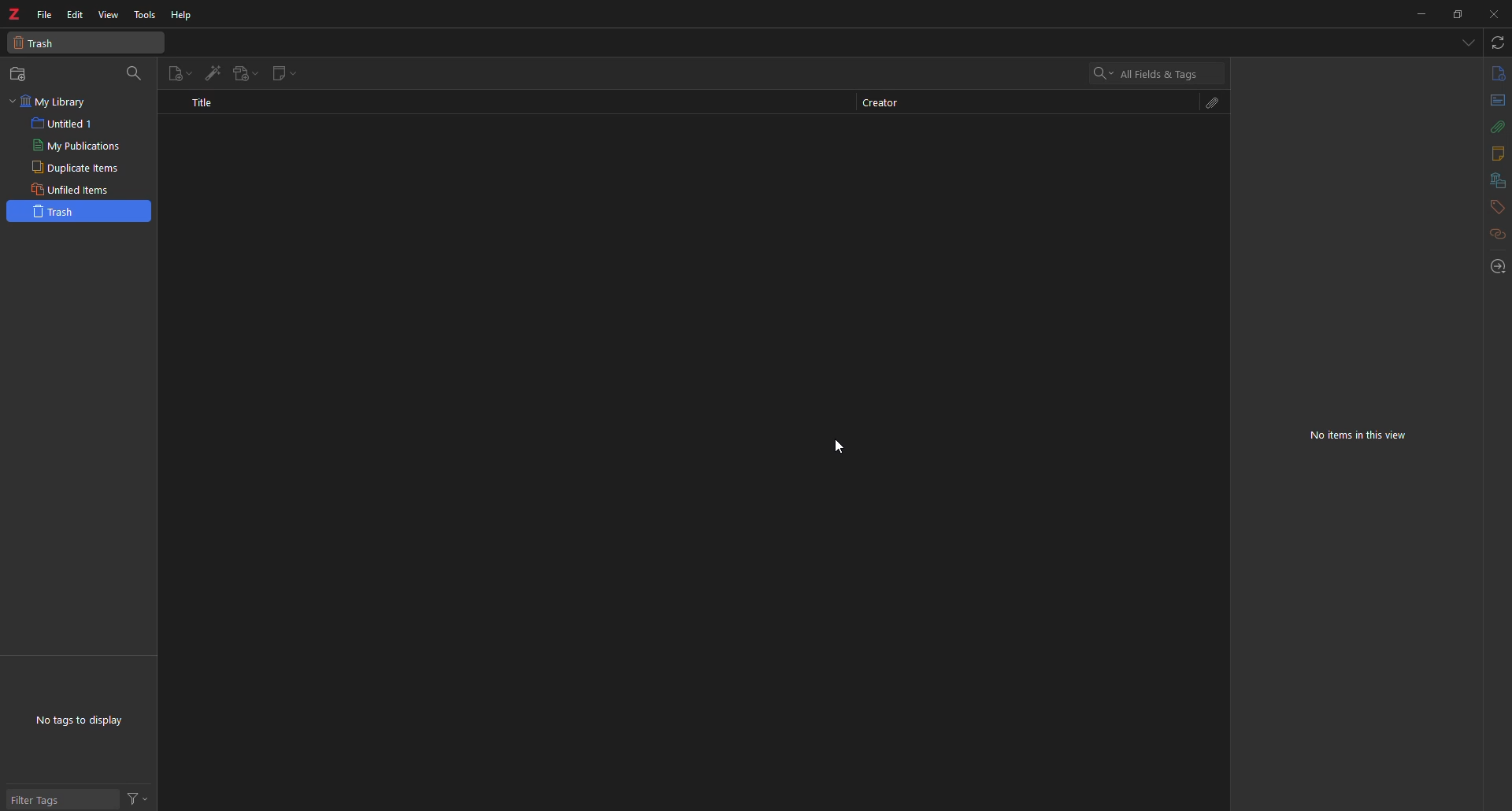  What do you see at coordinates (847, 446) in the screenshot?
I see `cursor` at bounding box center [847, 446].